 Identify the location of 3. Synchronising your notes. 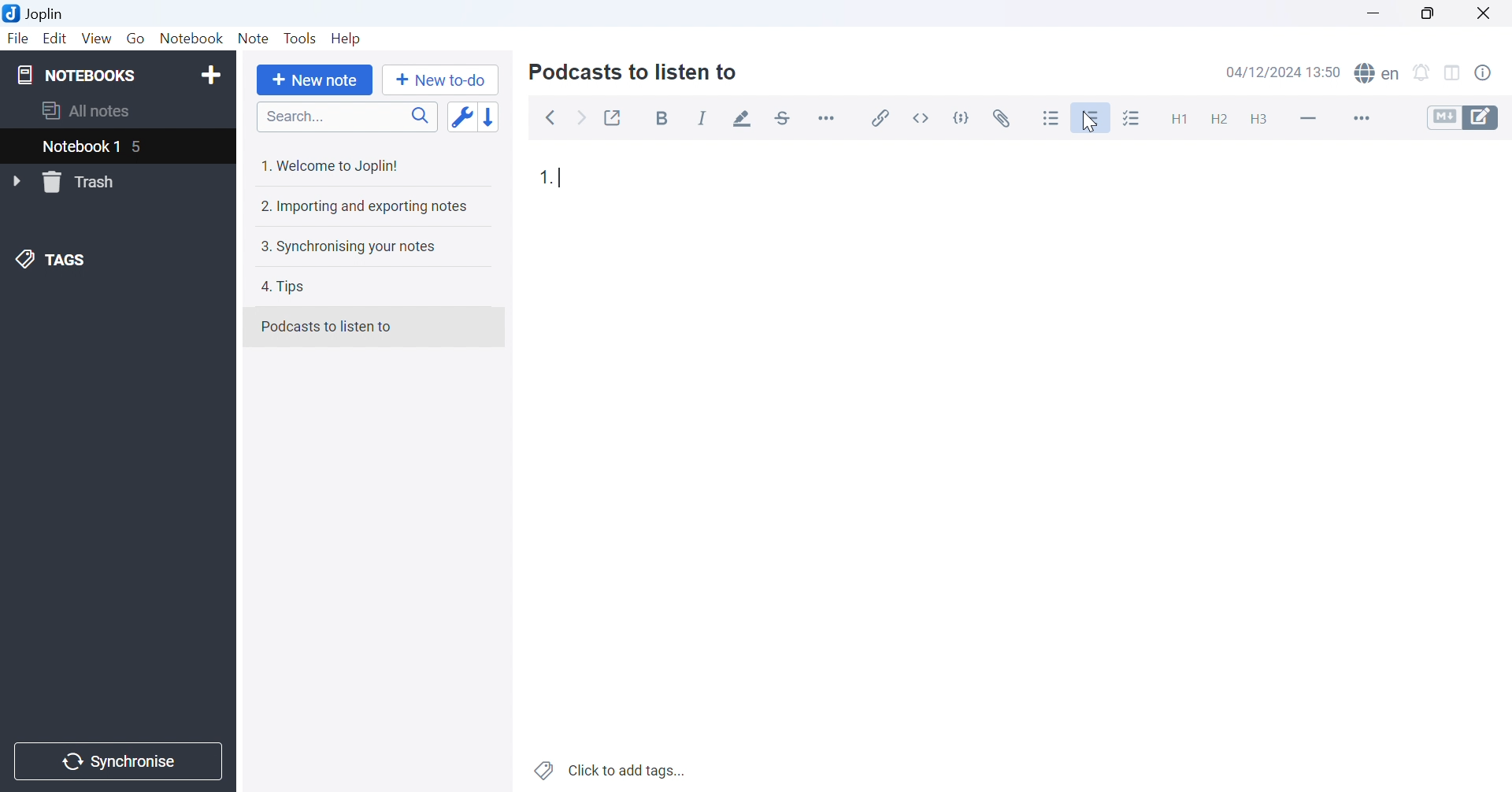
(348, 249).